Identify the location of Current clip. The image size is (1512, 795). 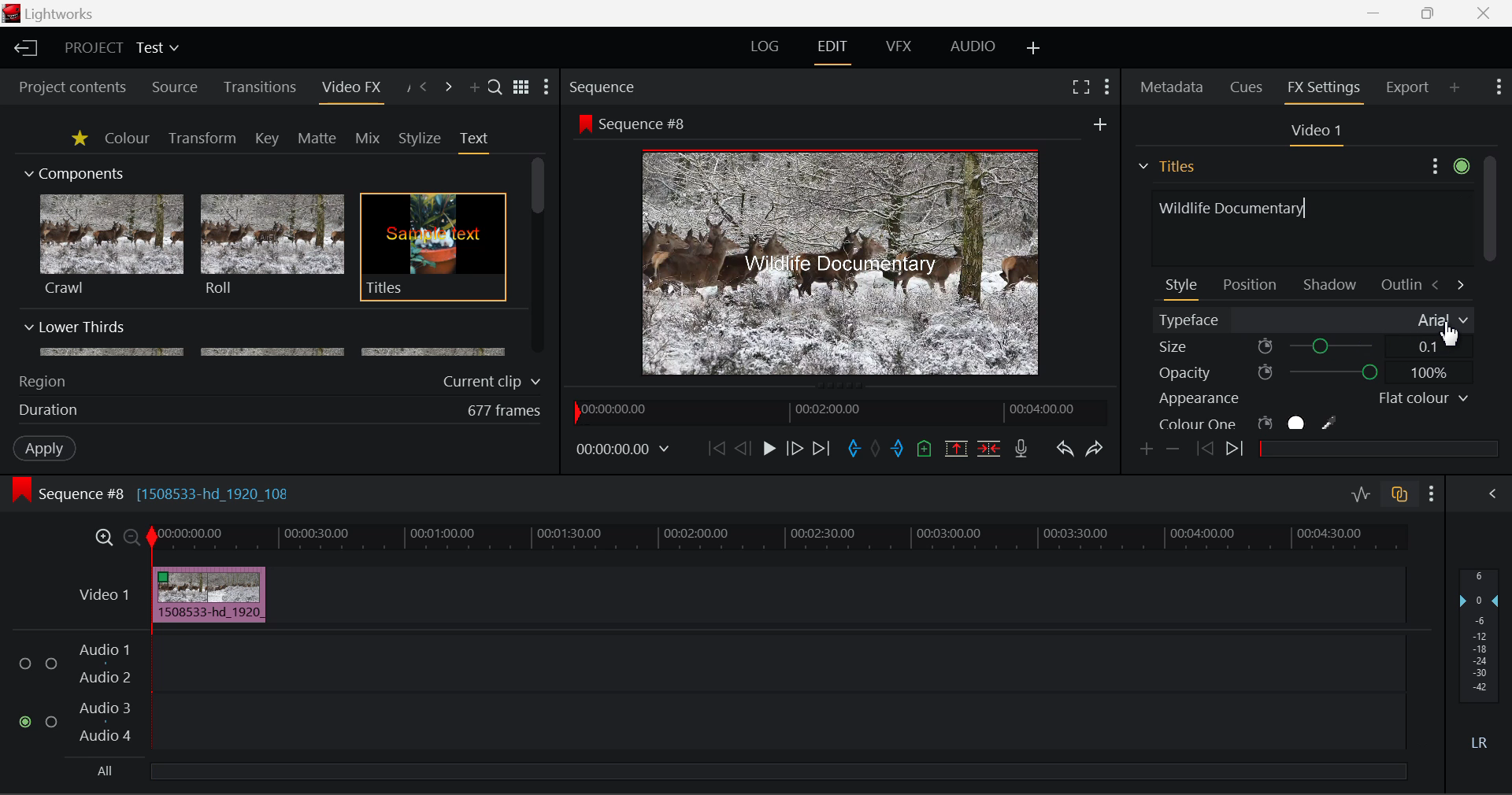
(495, 382).